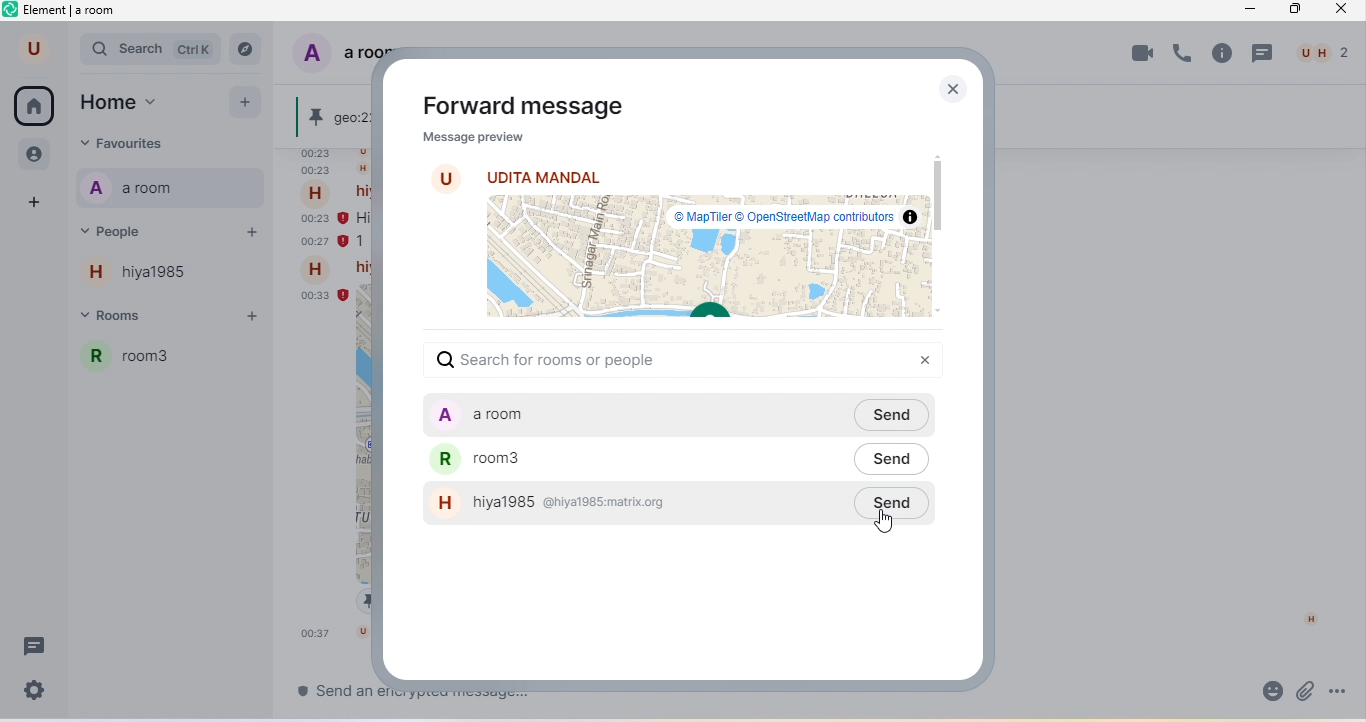  I want to click on udita mandal, so click(543, 176).